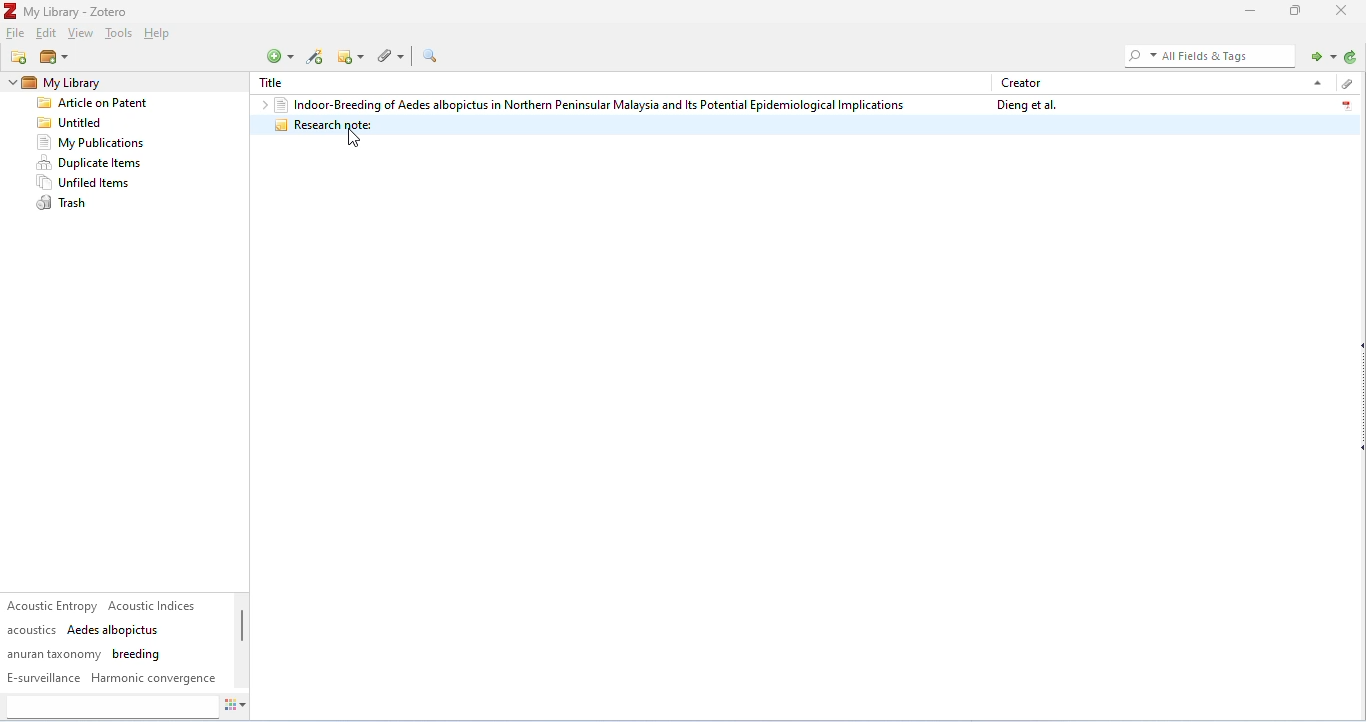 Image resolution: width=1366 pixels, height=722 pixels. What do you see at coordinates (260, 104) in the screenshot?
I see `drop down` at bounding box center [260, 104].